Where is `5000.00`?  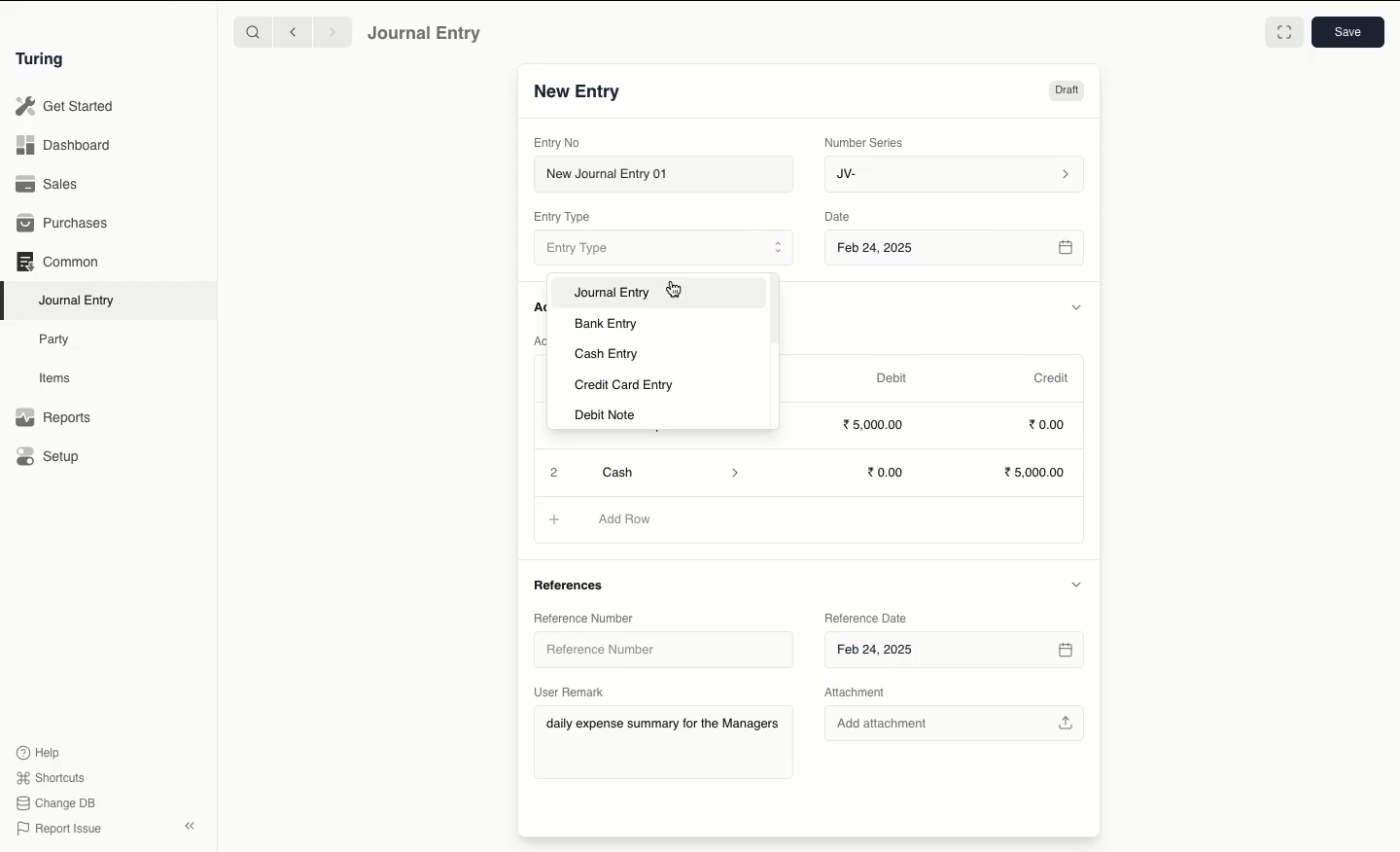
5000.00 is located at coordinates (875, 423).